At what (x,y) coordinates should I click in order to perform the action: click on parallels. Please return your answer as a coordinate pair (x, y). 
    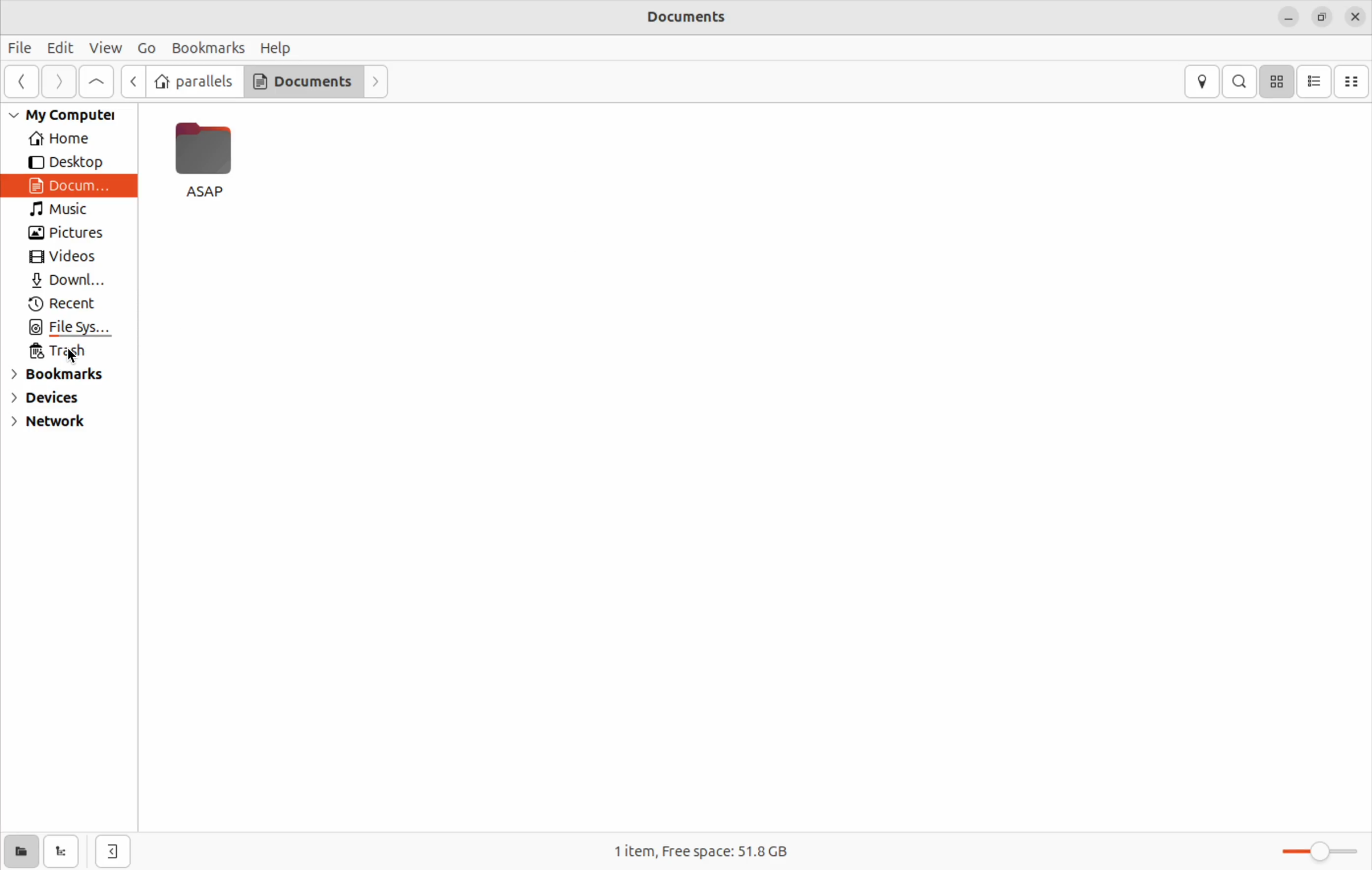
    Looking at the image, I should click on (193, 81).